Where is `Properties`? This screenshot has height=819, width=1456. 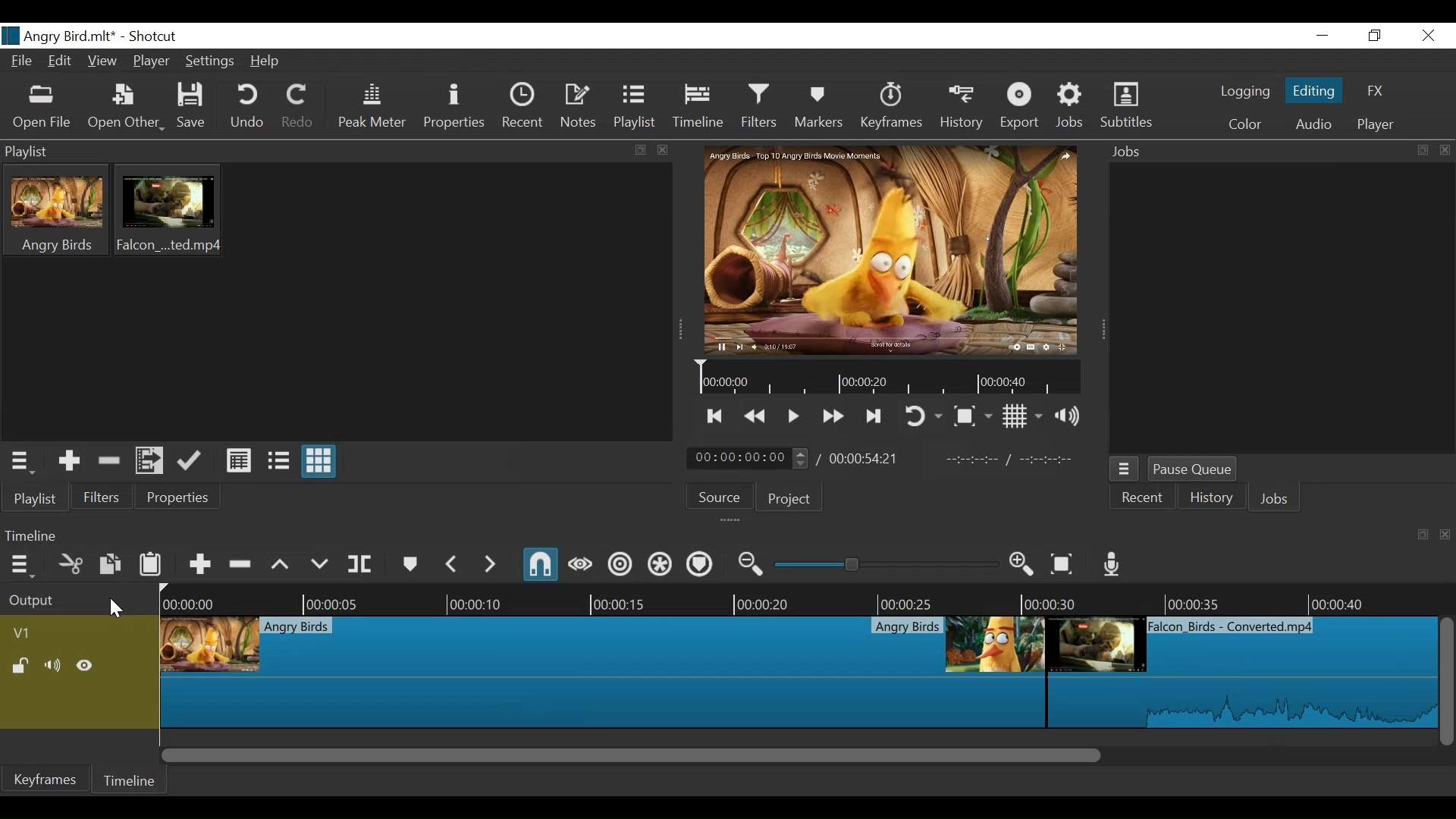
Properties is located at coordinates (175, 497).